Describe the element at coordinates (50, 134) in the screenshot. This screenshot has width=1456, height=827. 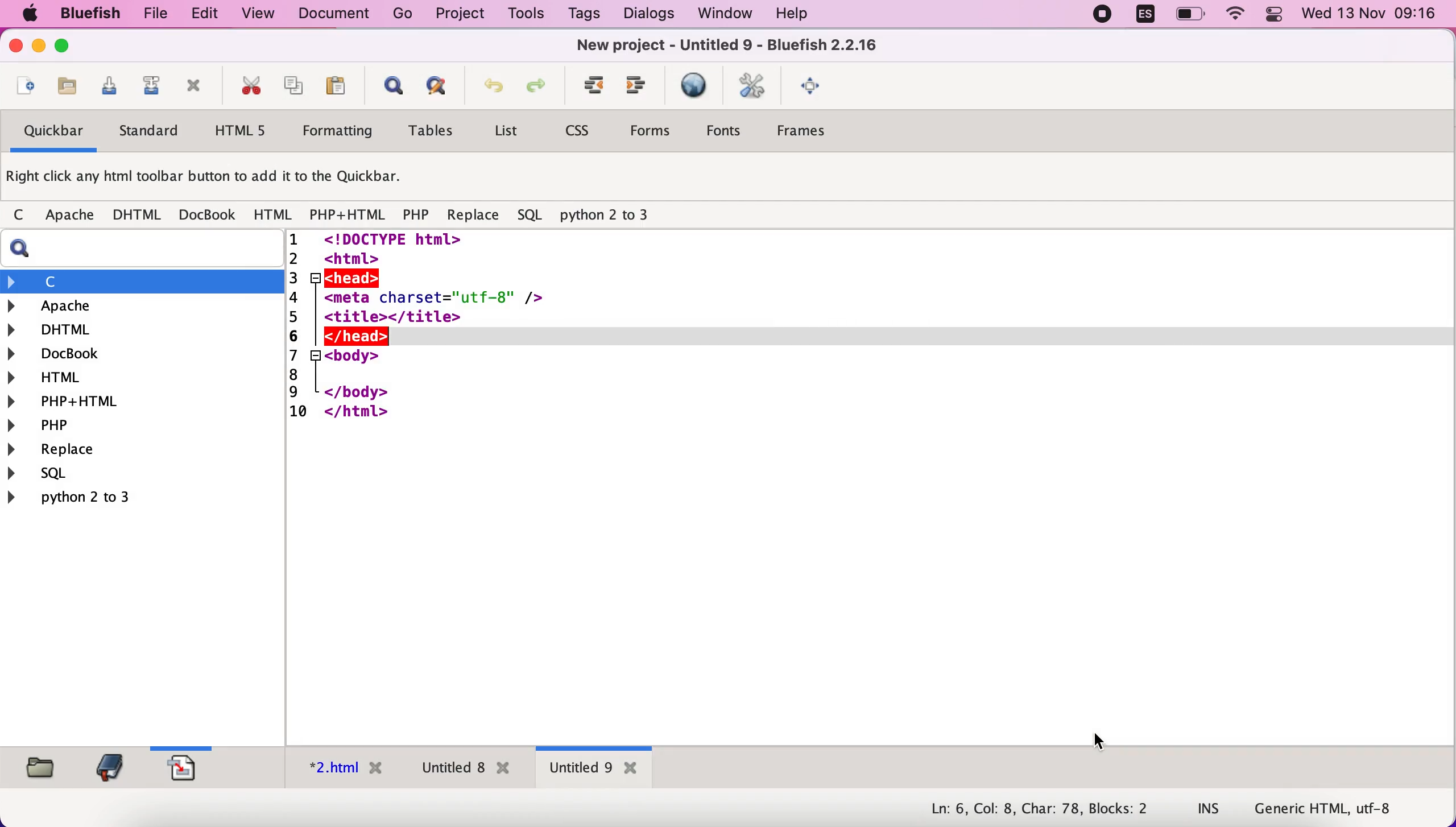
I see `quickbar` at that location.